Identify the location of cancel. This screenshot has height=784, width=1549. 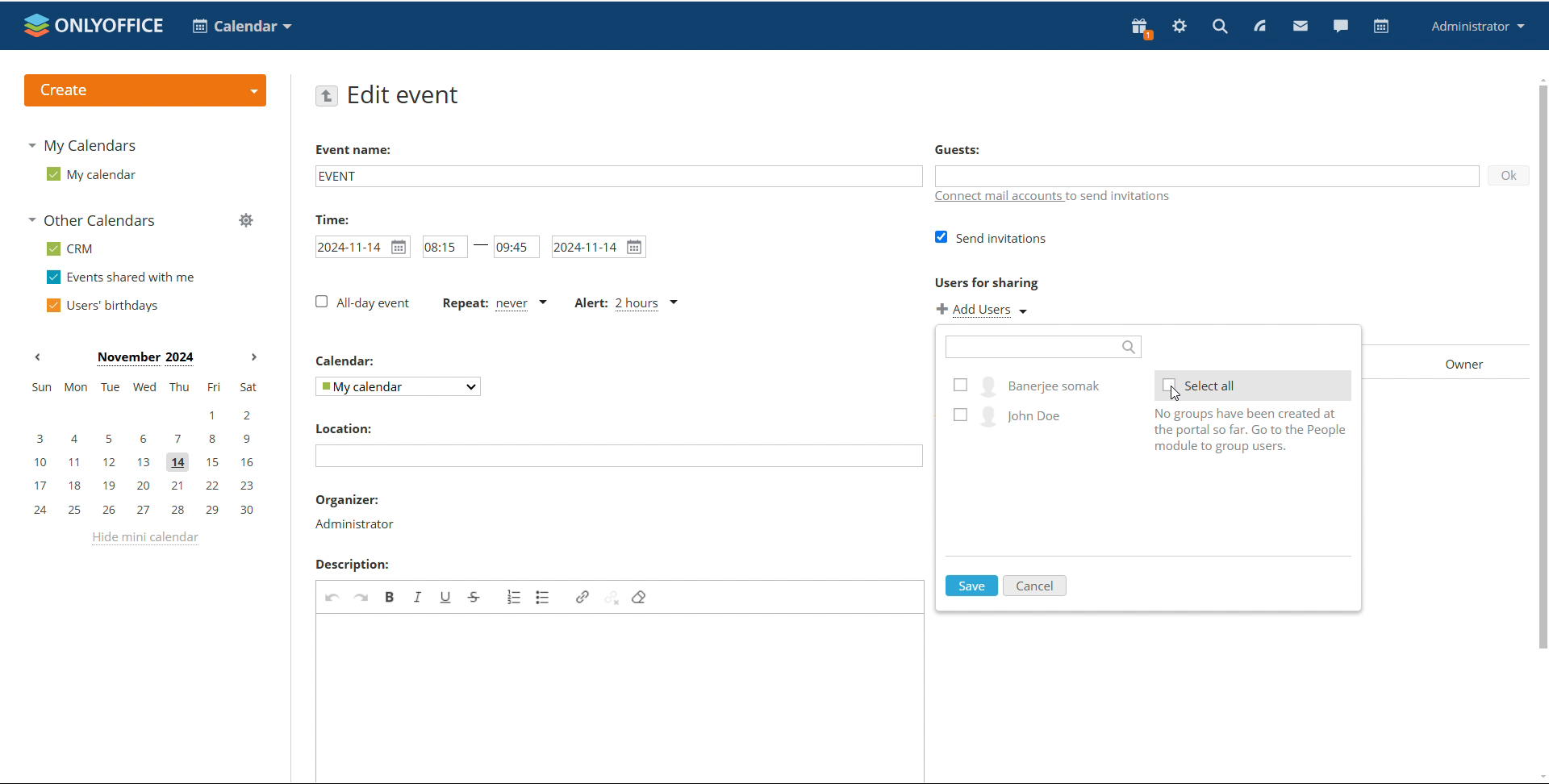
(1037, 586).